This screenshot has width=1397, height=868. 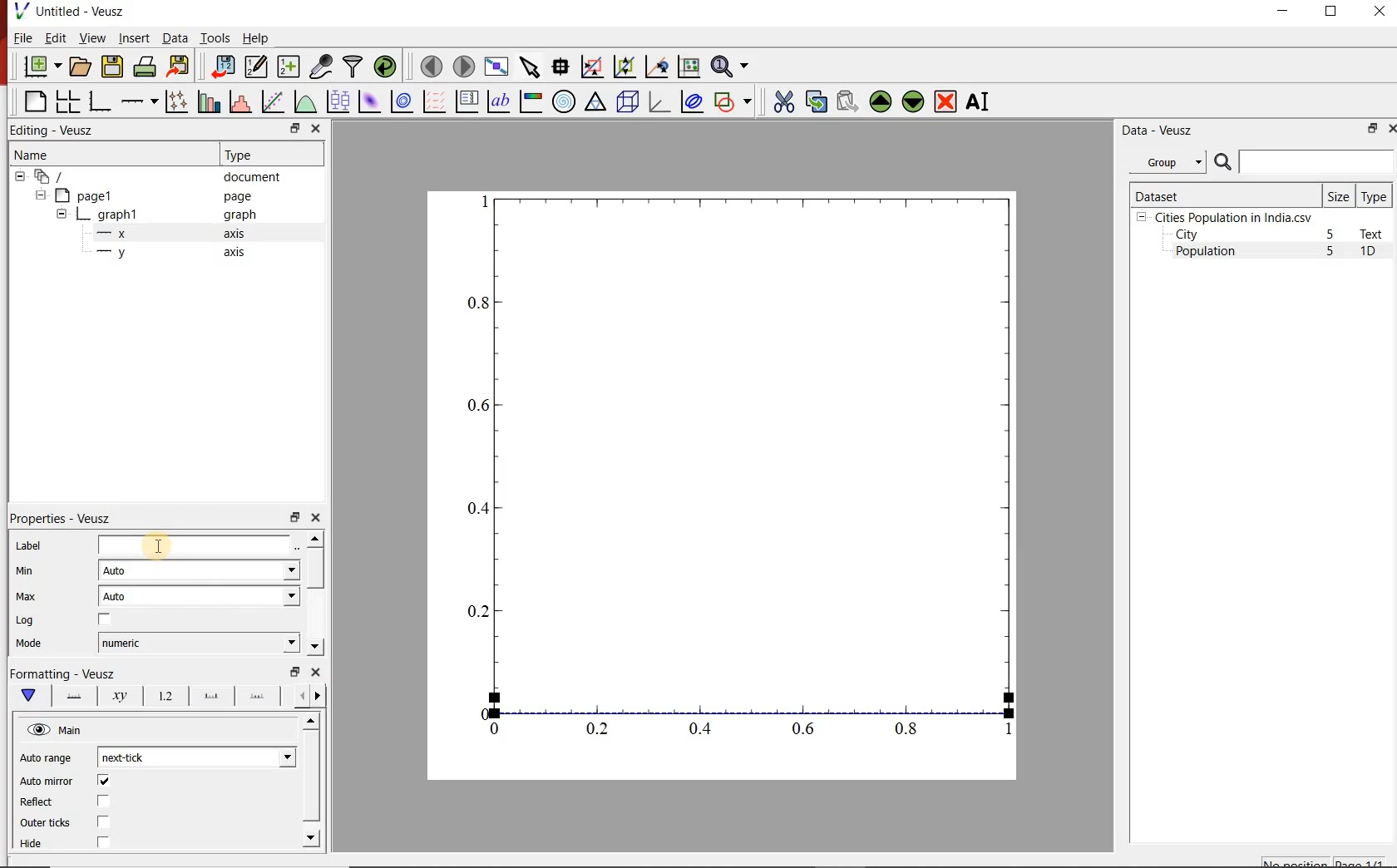 What do you see at coordinates (206, 698) in the screenshot?
I see `Major ticks` at bounding box center [206, 698].